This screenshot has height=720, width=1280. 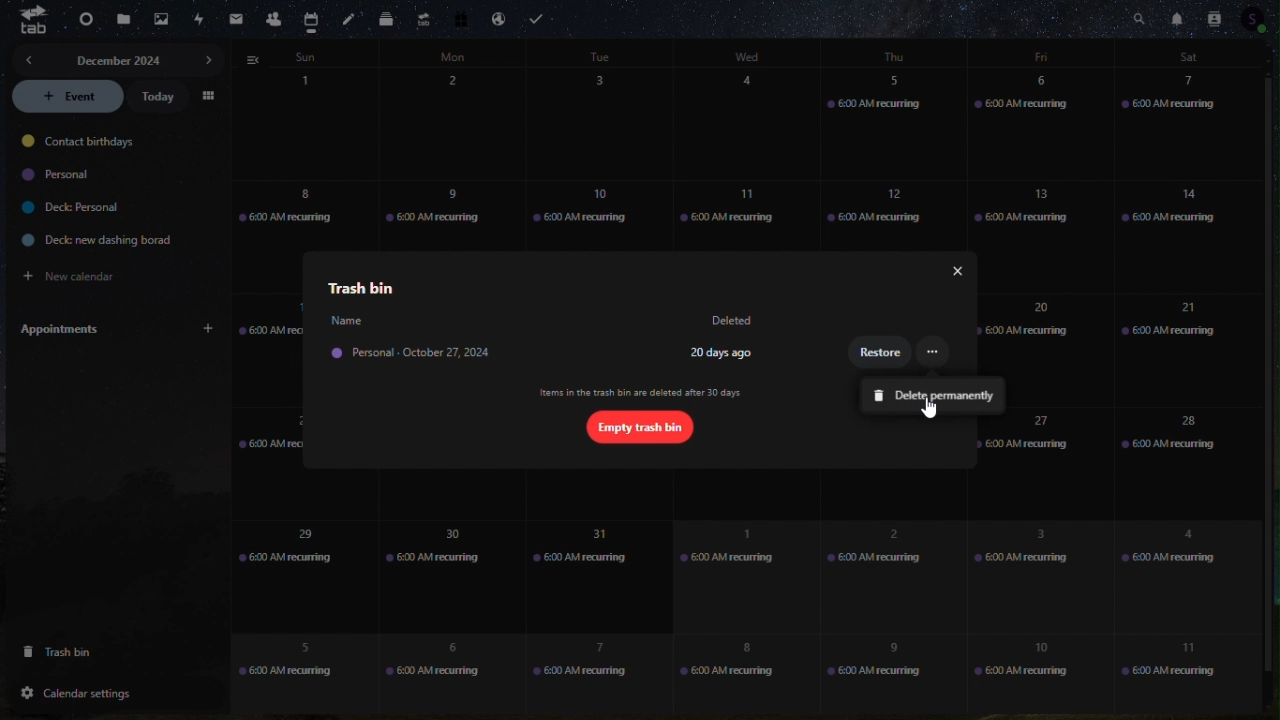 What do you see at coordinates (61, 175) in the screenshot?
I see `personal` at bounding box center [61, 175].